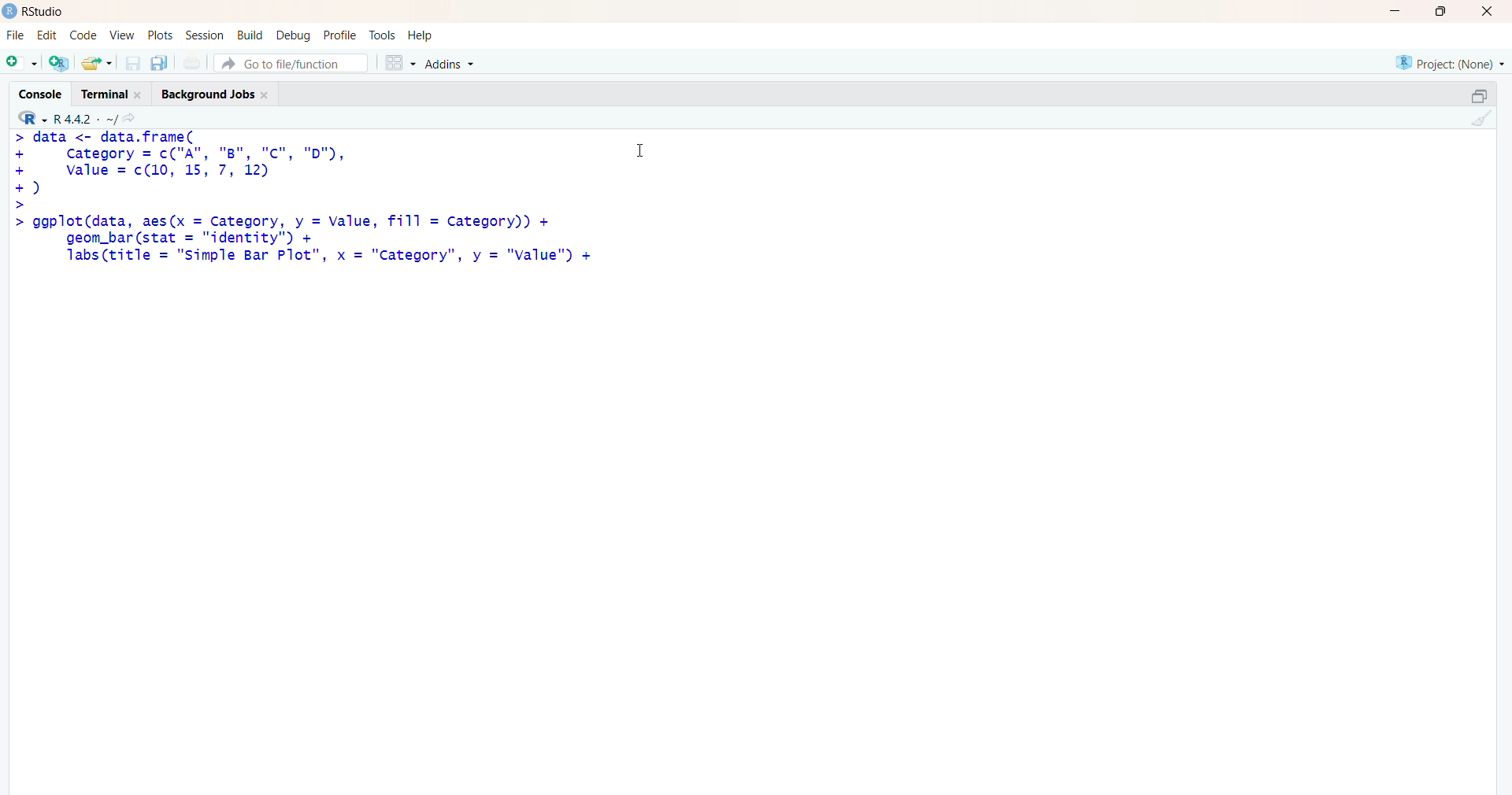  I want to click on minimize, so click(1400, 11).